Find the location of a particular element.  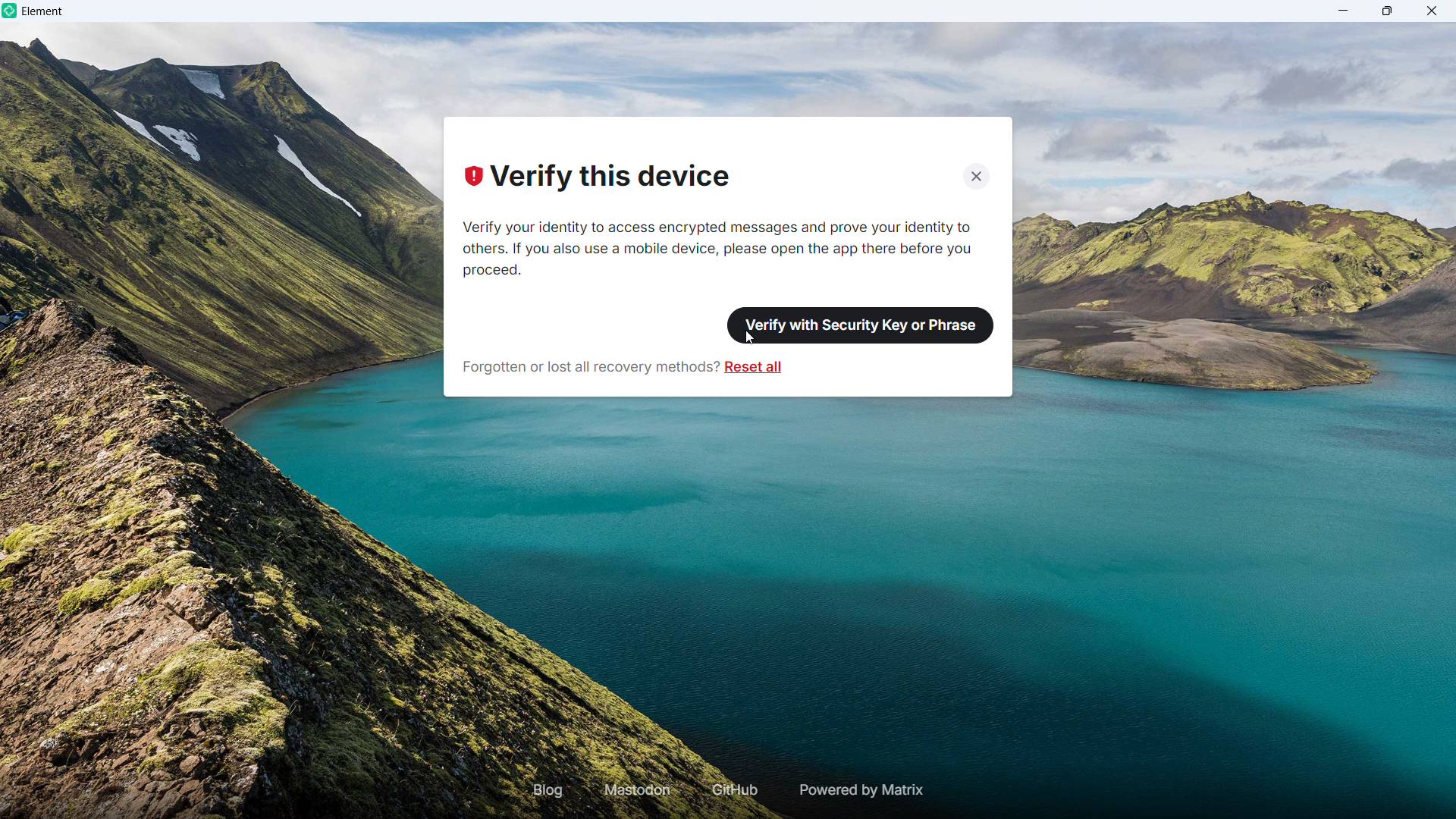

verify your identity to access encrypted messages and prove your identity to others. if you also use a mobile device, please open the app there before you proceed. is located at coordinates (723, 247).